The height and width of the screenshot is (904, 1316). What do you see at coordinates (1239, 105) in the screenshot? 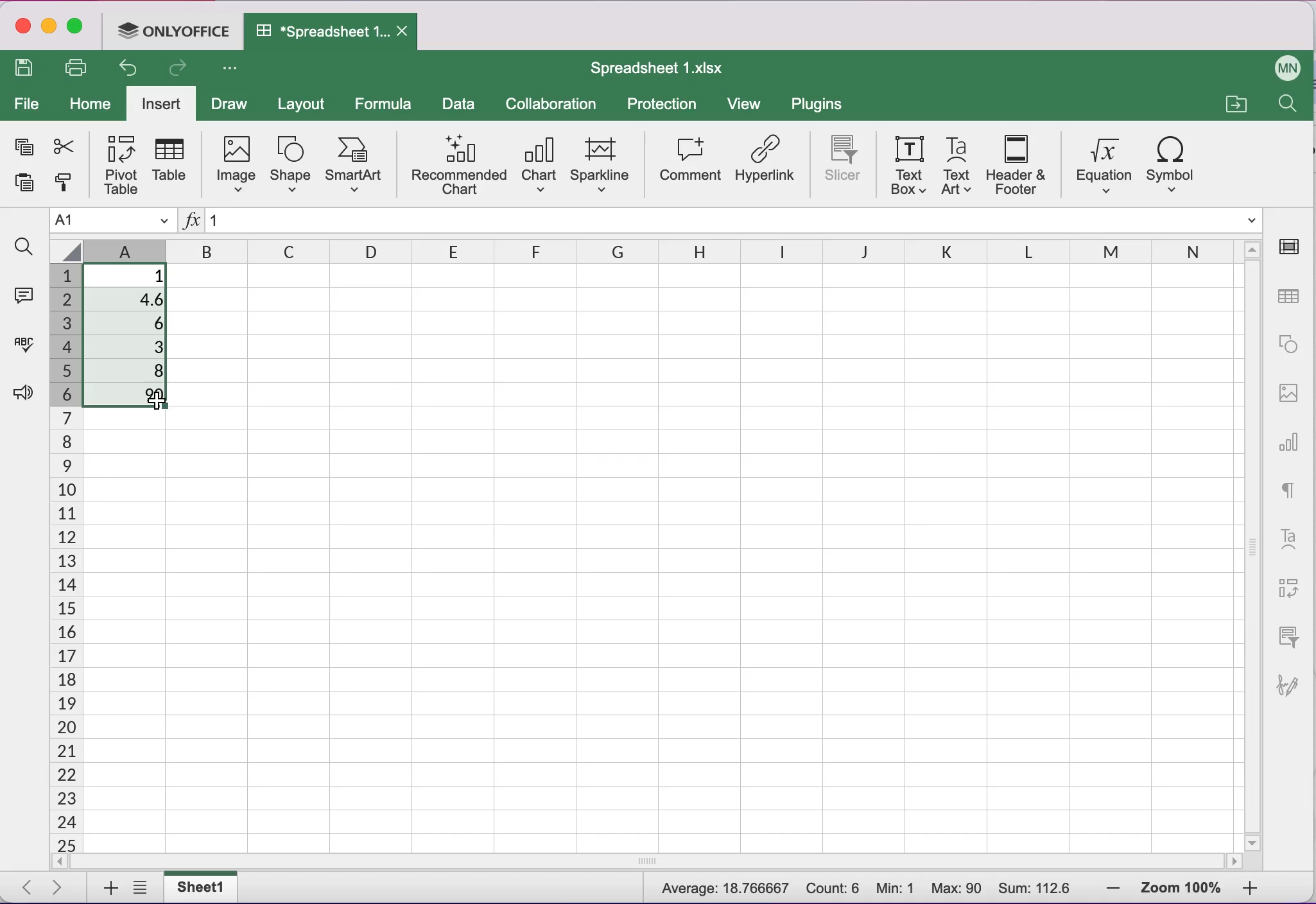
I see `open a file location` at bounding box center [1239, 105].